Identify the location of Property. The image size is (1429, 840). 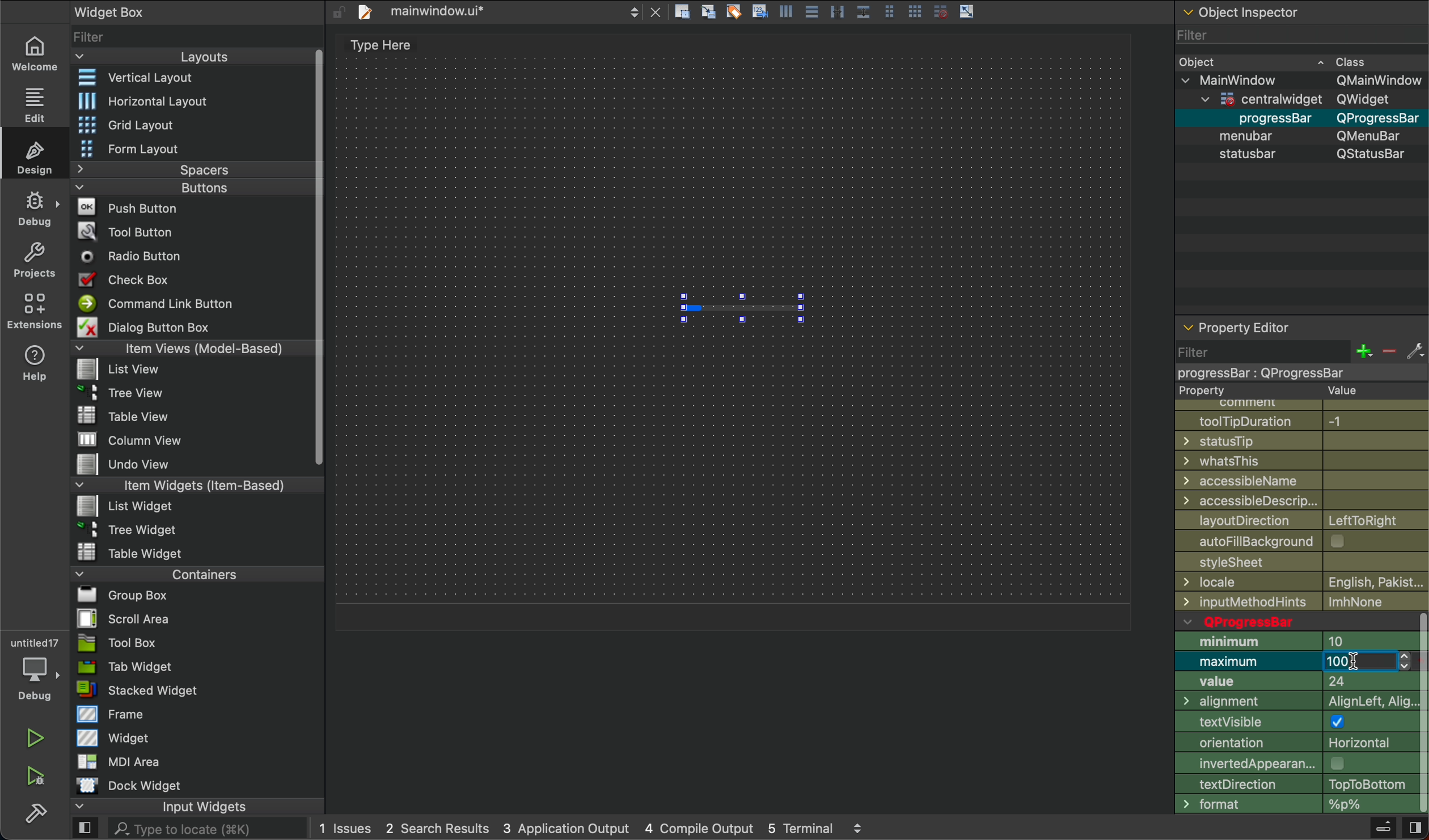
(1303, 389).